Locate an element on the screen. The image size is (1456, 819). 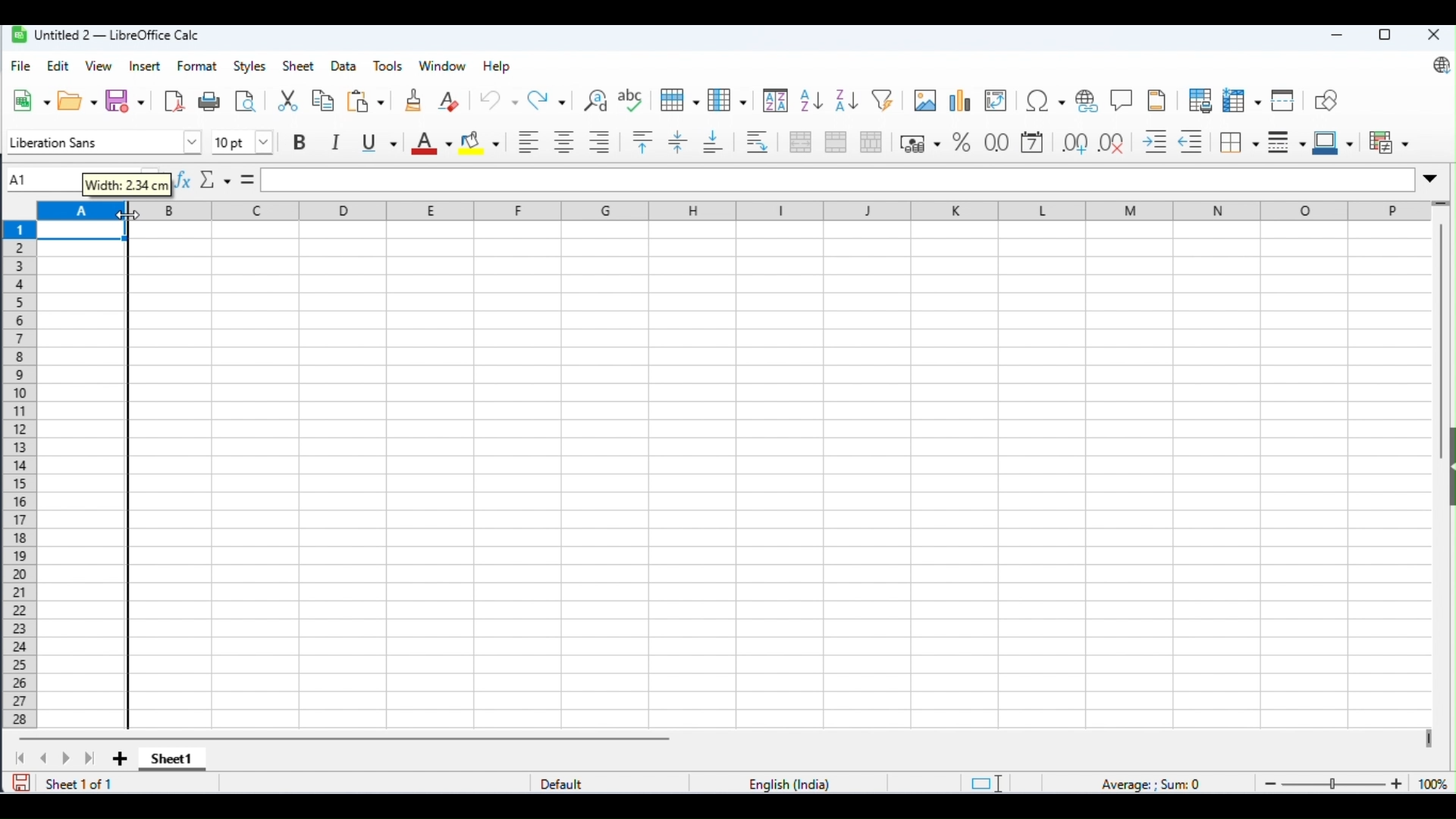
Untitled2-LibreOffice Calc is located at coordinates (107, 33).